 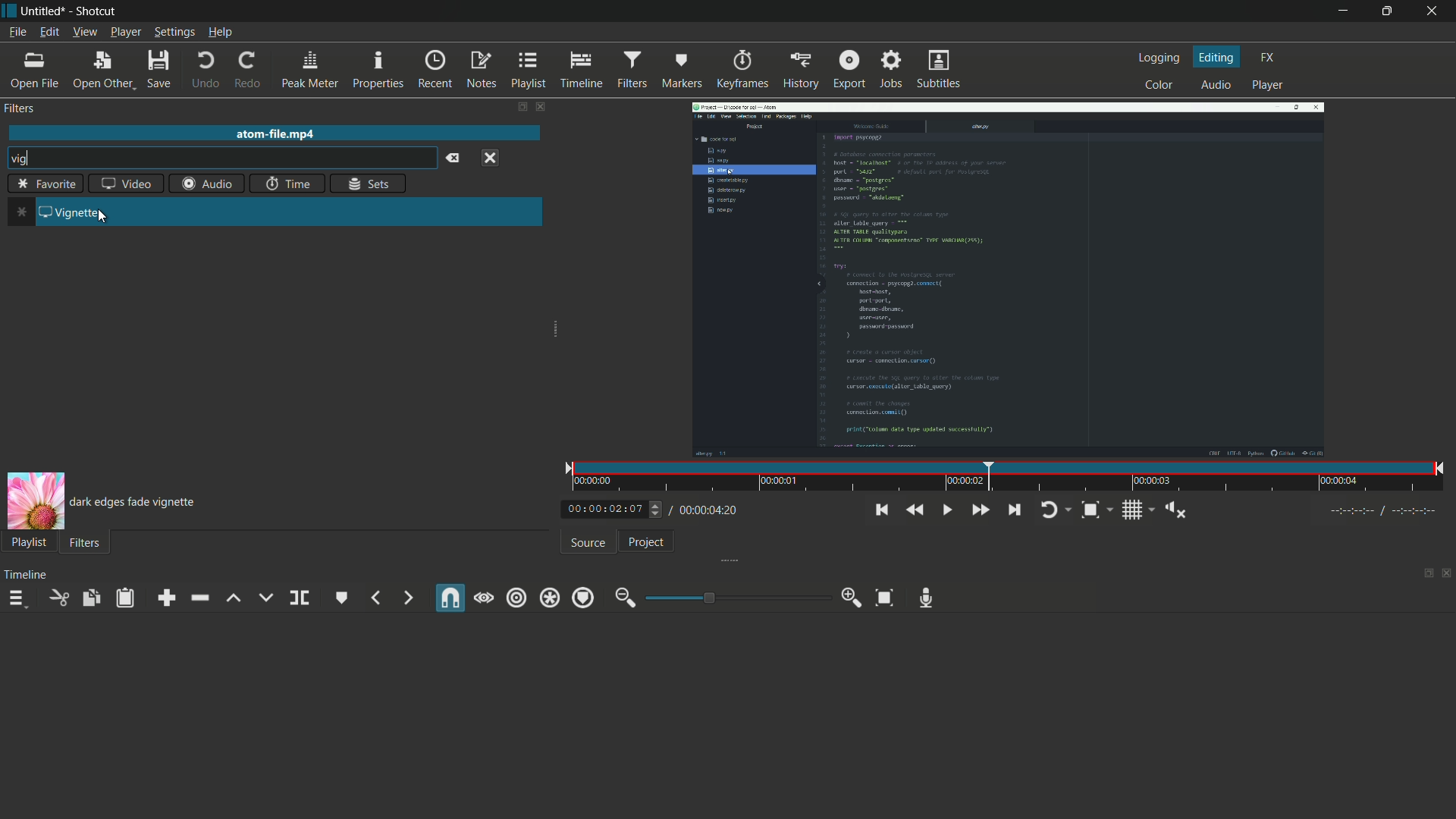 I want to click on help menu, so click(x=220, y=32).